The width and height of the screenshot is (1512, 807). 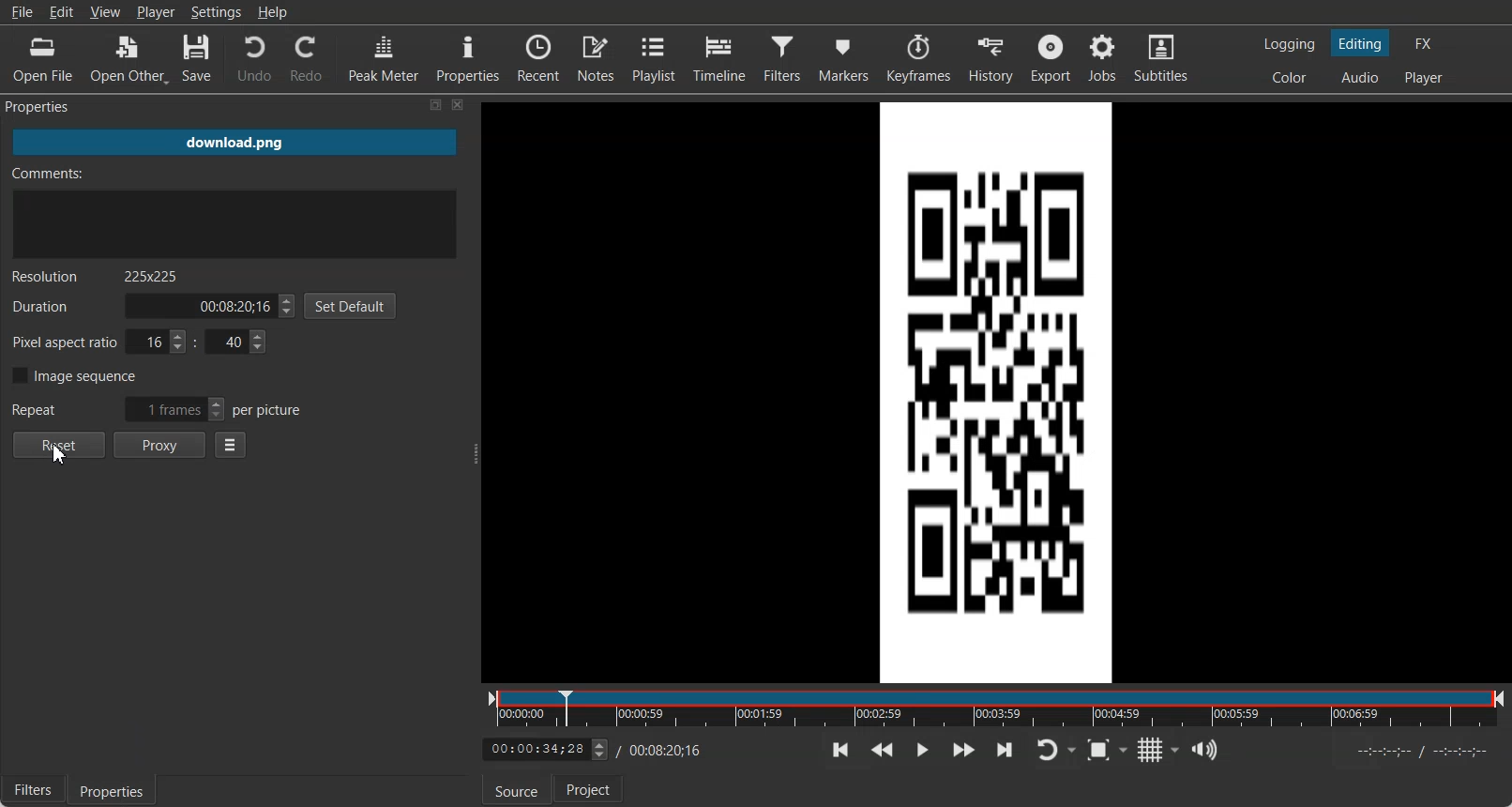 What do you see at coordinates (916, 58) in the screenshot?
I see `Keyframe` at bounding box center [916, 58].